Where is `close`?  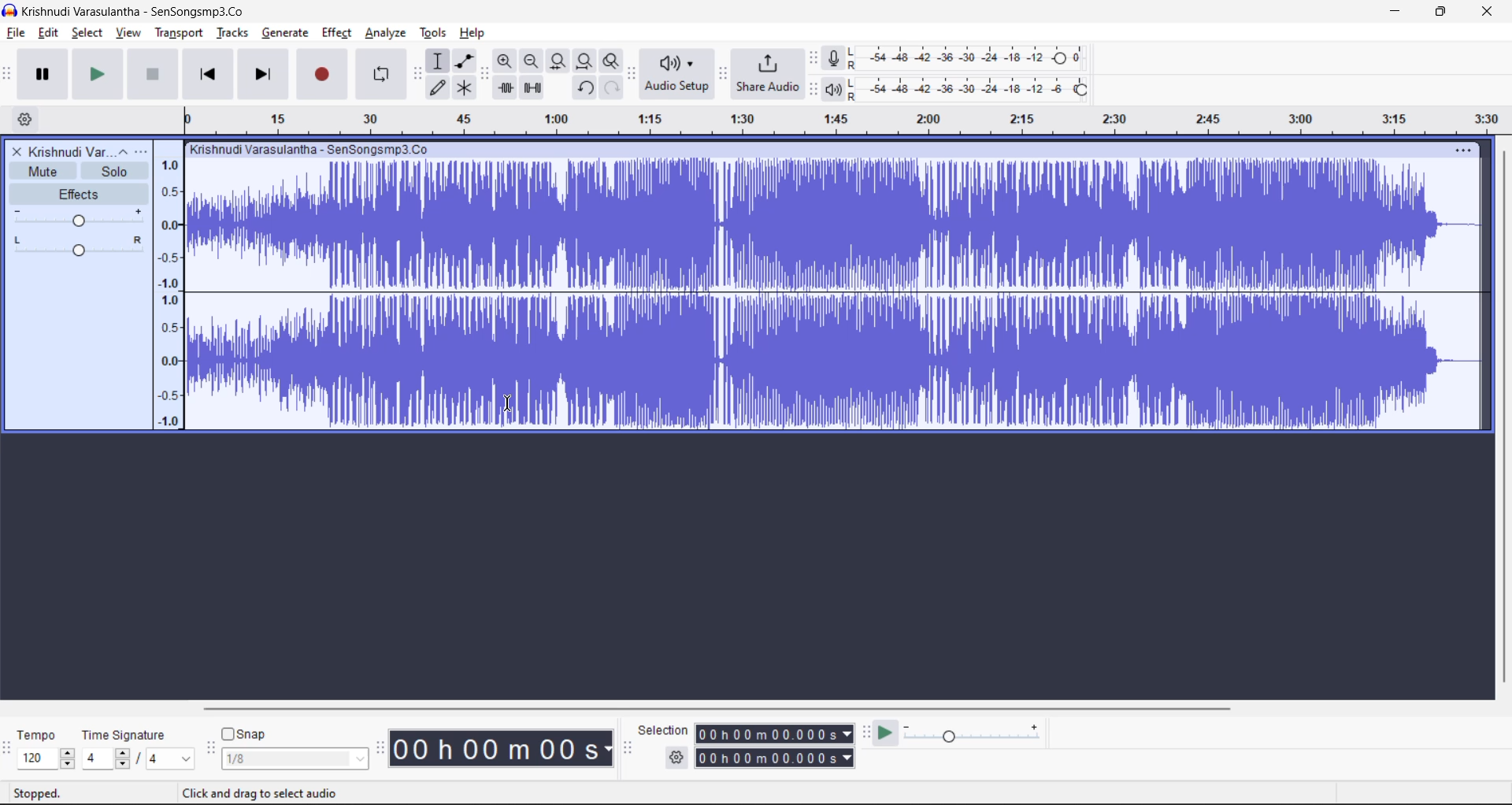 close is located at coordinates (1487, 12).